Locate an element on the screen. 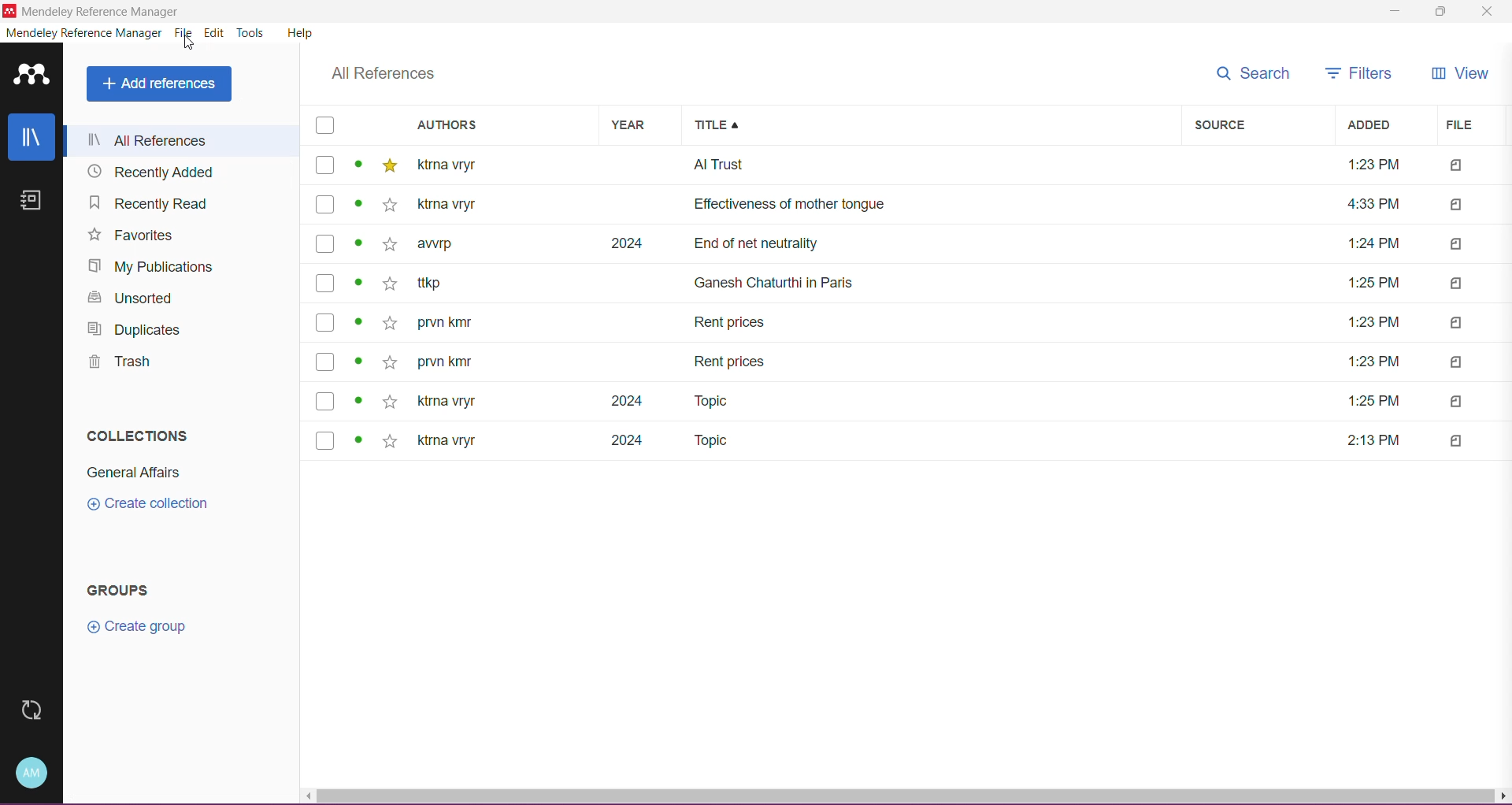  awrp 2024 End of net neutrality 1:24 PM is located at coordinates (913, 243).